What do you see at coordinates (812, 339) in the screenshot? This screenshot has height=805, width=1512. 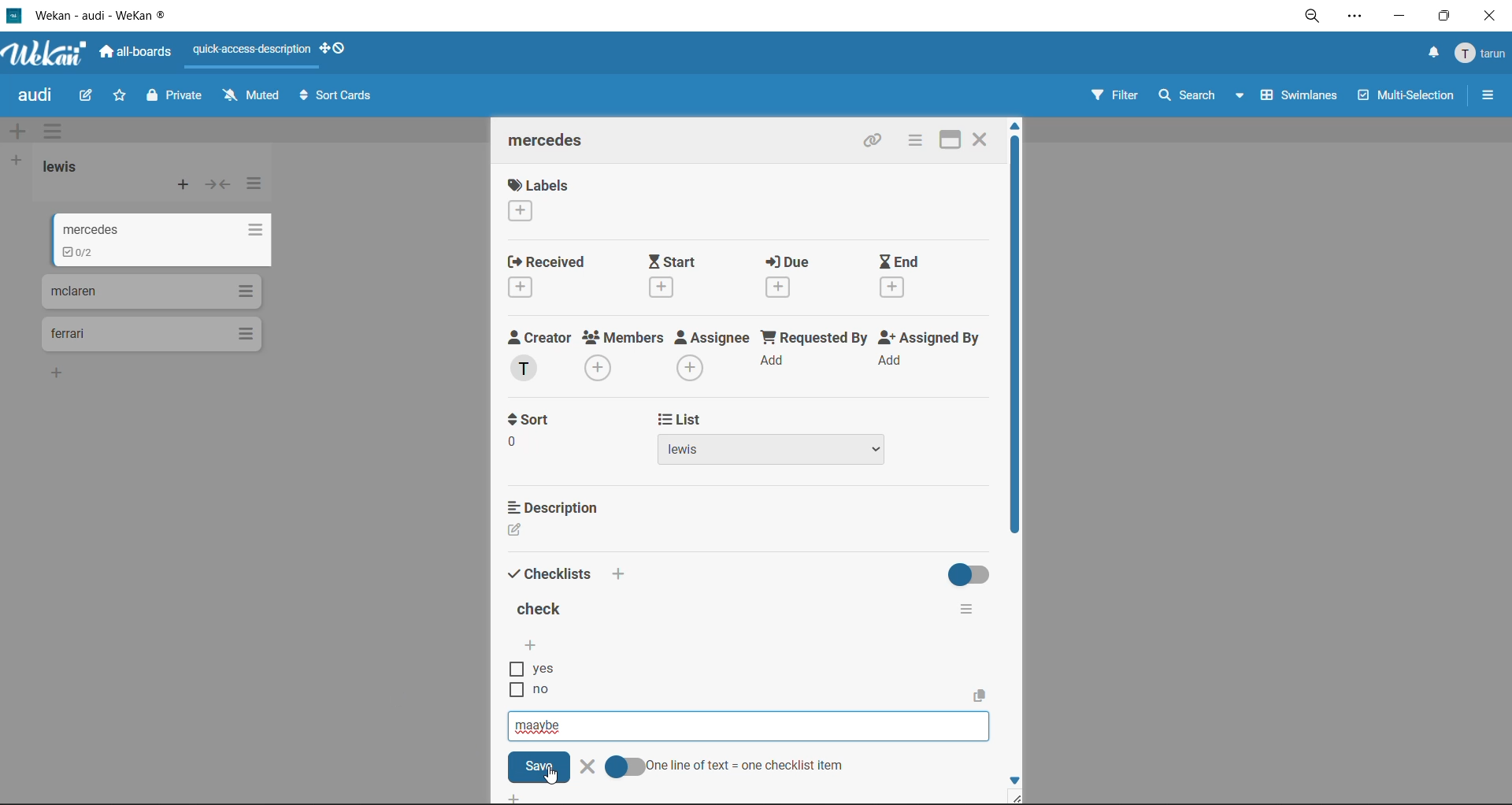 I see `requested by` at bounding box center [812, 339].